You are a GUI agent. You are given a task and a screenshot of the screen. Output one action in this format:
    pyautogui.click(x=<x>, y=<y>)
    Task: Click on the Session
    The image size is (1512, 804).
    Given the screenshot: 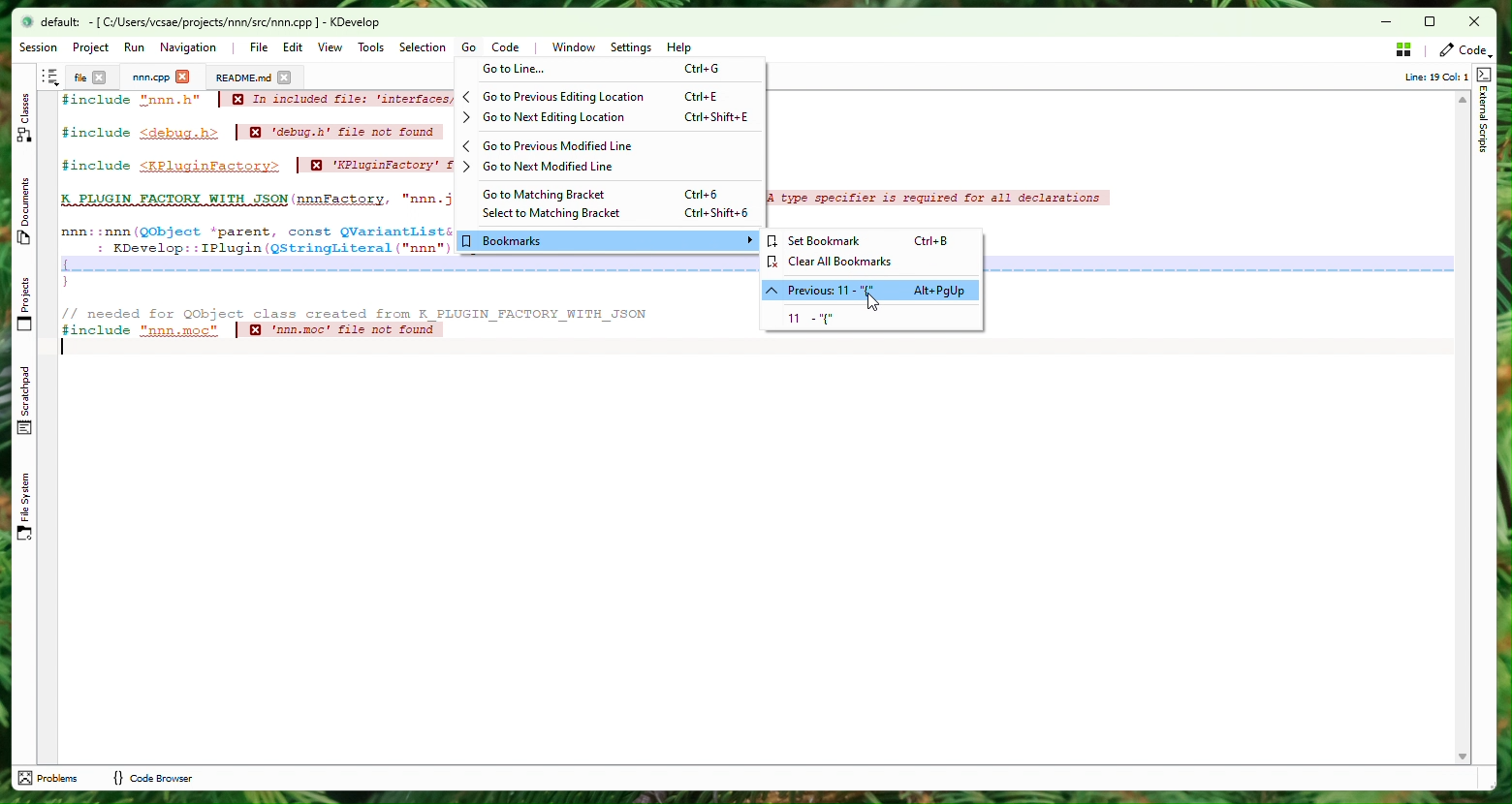 What is the action you would take?
    pyautogui.click(x=42, y=48)
    